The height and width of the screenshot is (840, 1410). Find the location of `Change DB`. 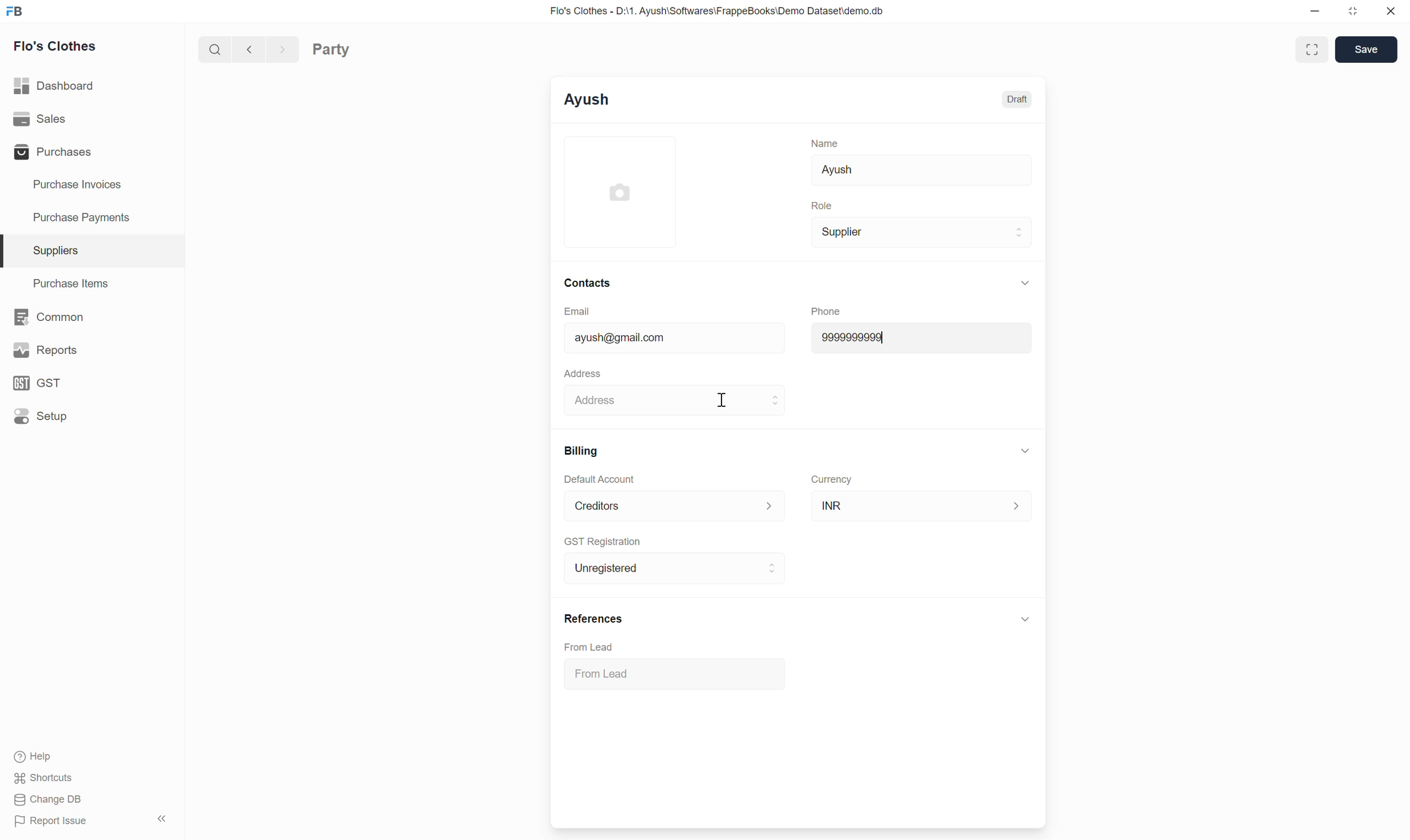

Change DB is located at coordinates (50, 799).